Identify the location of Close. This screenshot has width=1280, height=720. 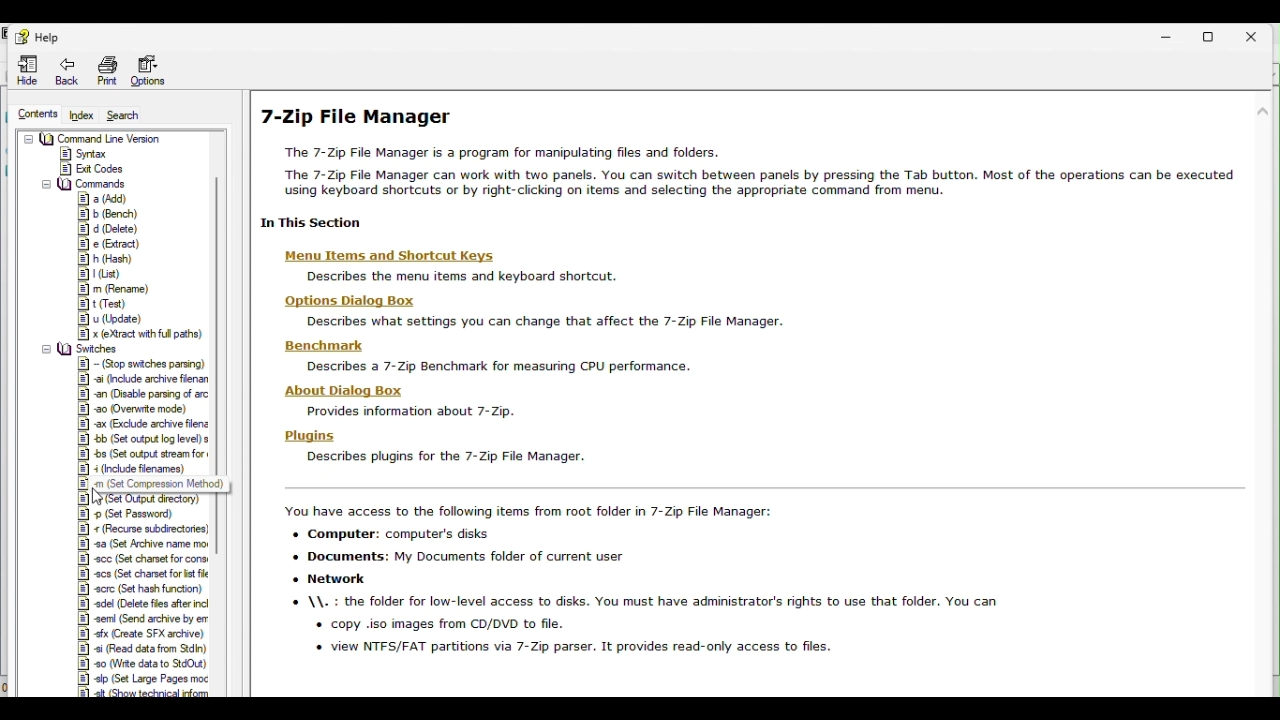
(1258, 34).